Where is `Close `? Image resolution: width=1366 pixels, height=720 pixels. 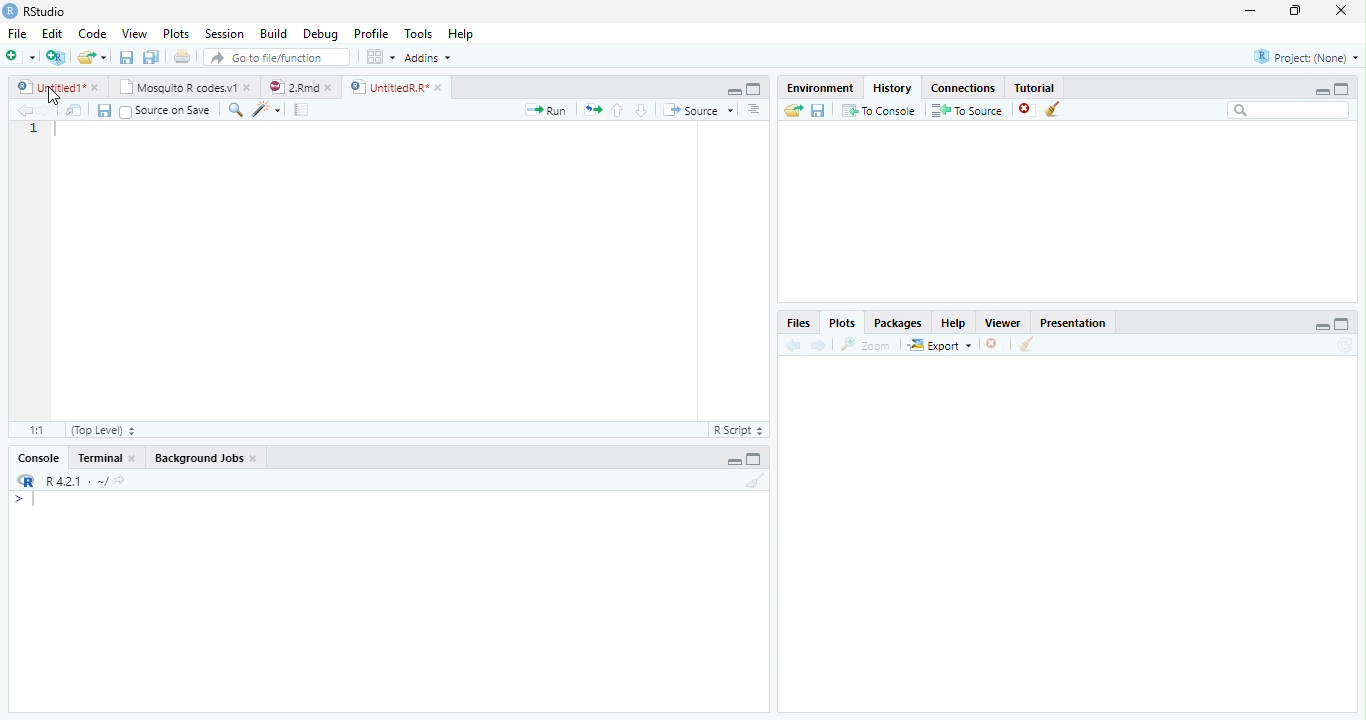 Close  is located at coordinates (1342, 12).